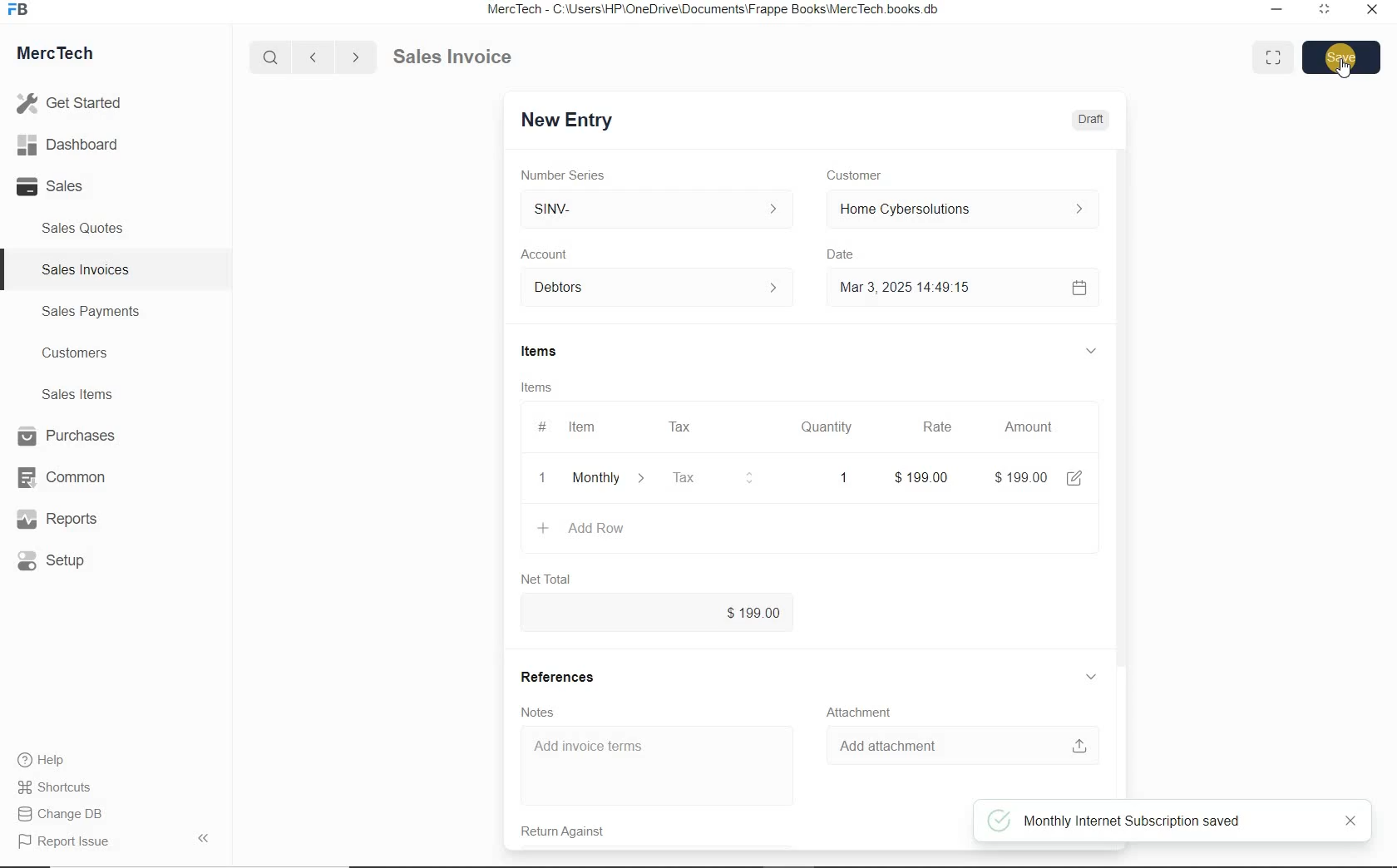 Image resolution: width=1397 pixels, height=868 pixels. I want to click on Attachment, so click(862, 713).